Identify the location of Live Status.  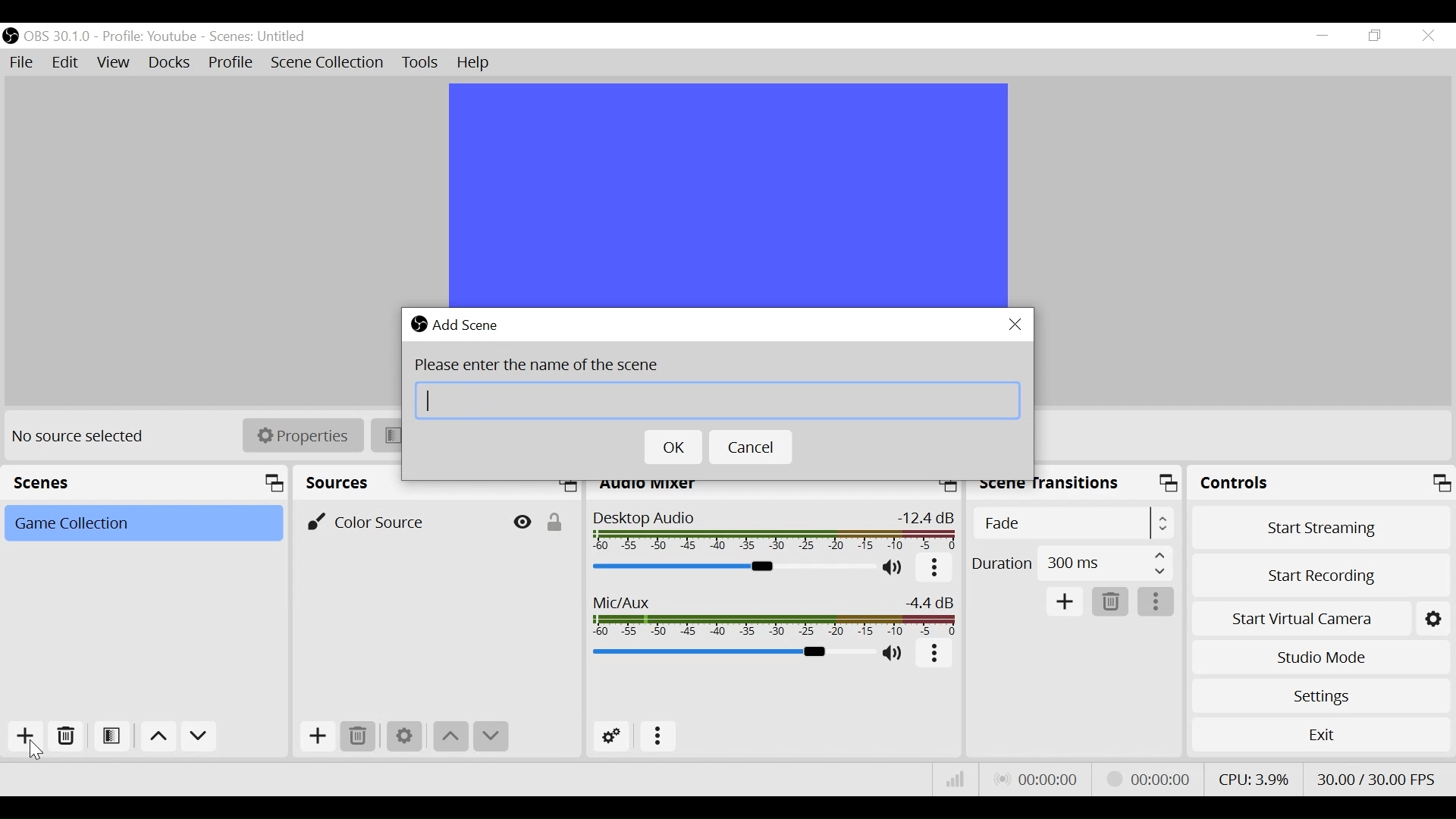
(1035, 777).